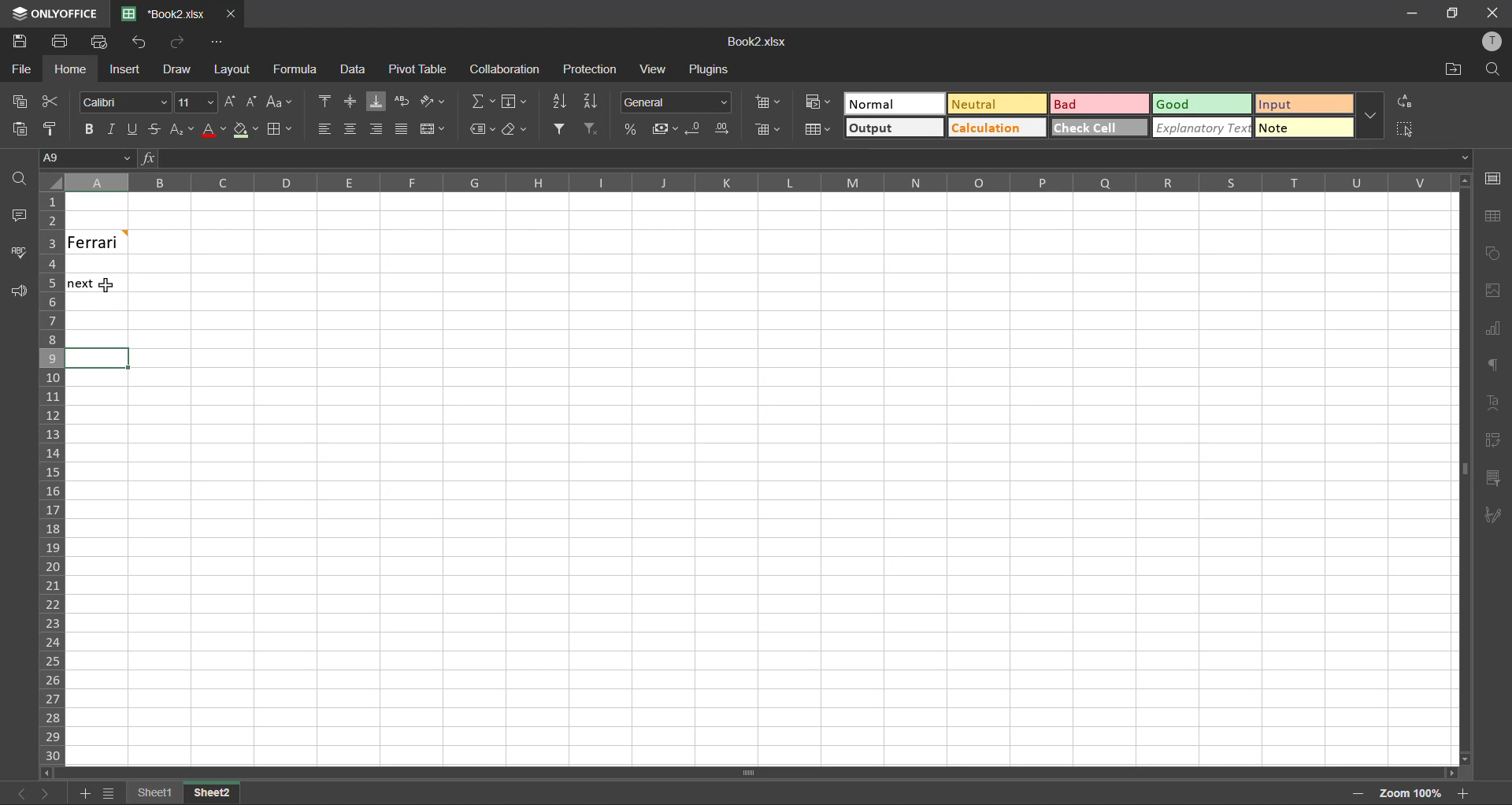 This screenshot has width=1512, height=805. What do you see at coordinates (892, 103) in the screenshot?
I see `normal` at bounding box center [892, 103].